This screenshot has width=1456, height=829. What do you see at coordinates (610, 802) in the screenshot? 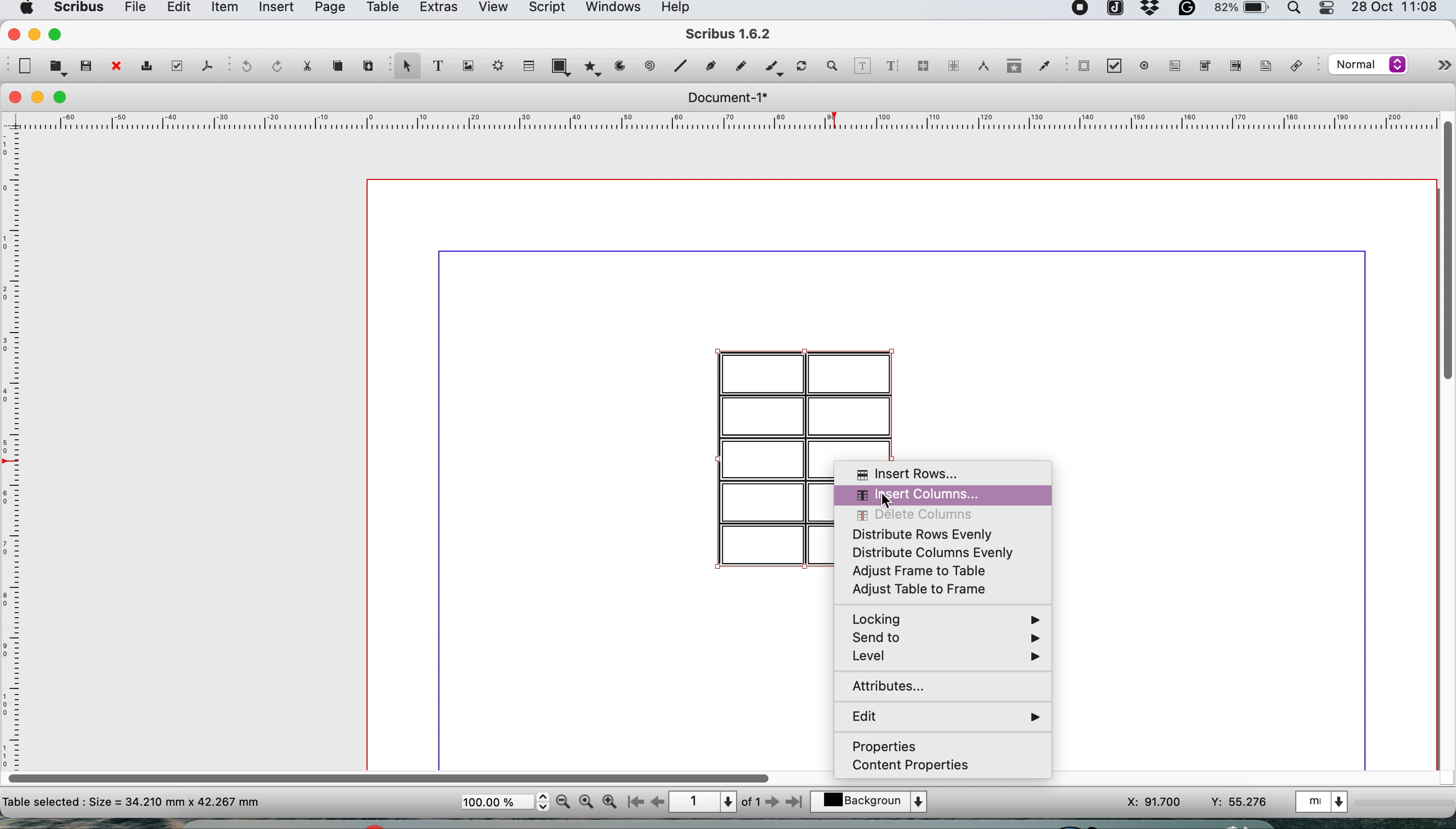
I see `zoom in` at bounding box center [610, 802].